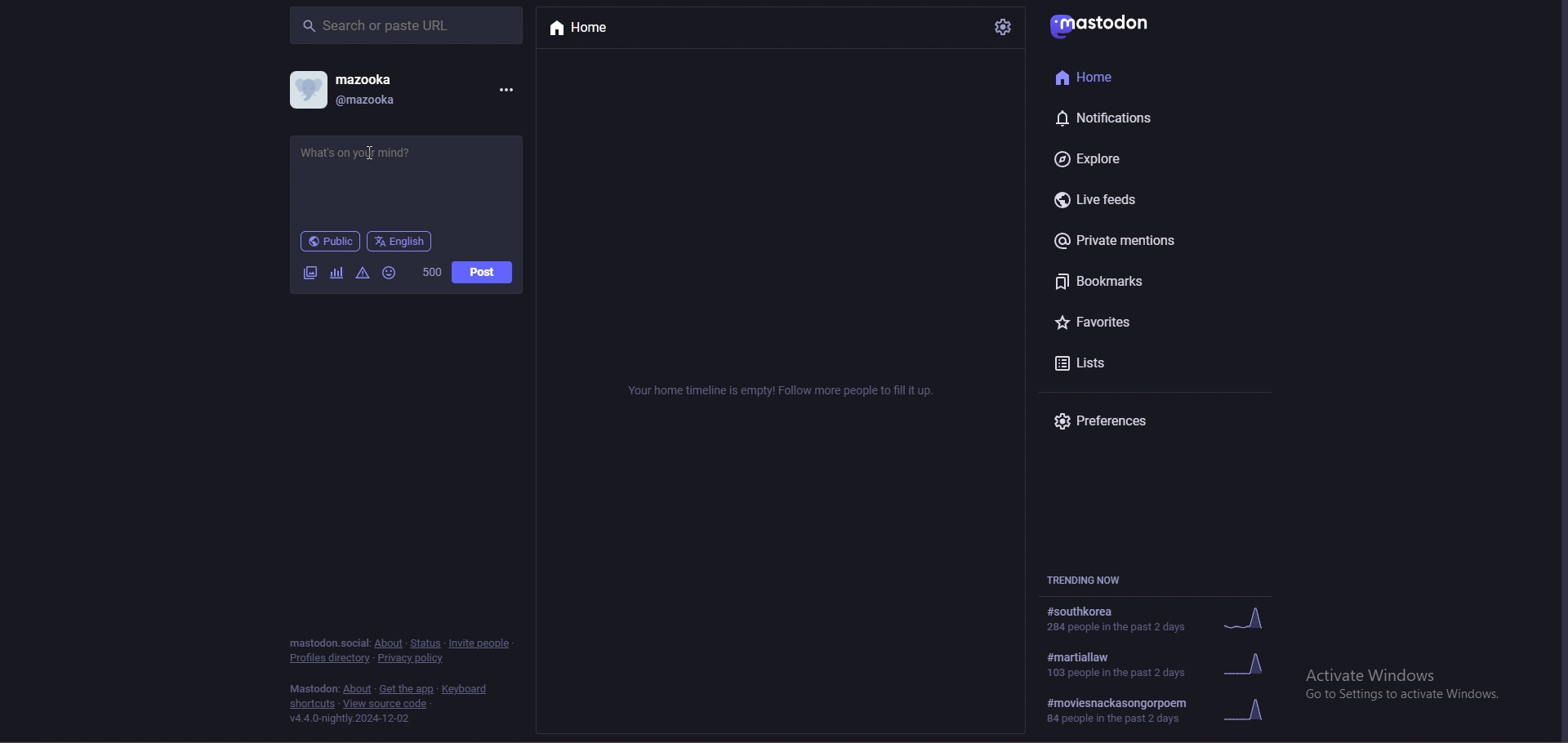 Image resolution: width=1568 pixels, height=743 pixels. Describe the element at coordinates (483, 272) in the screenshot. I see `post` at that location.